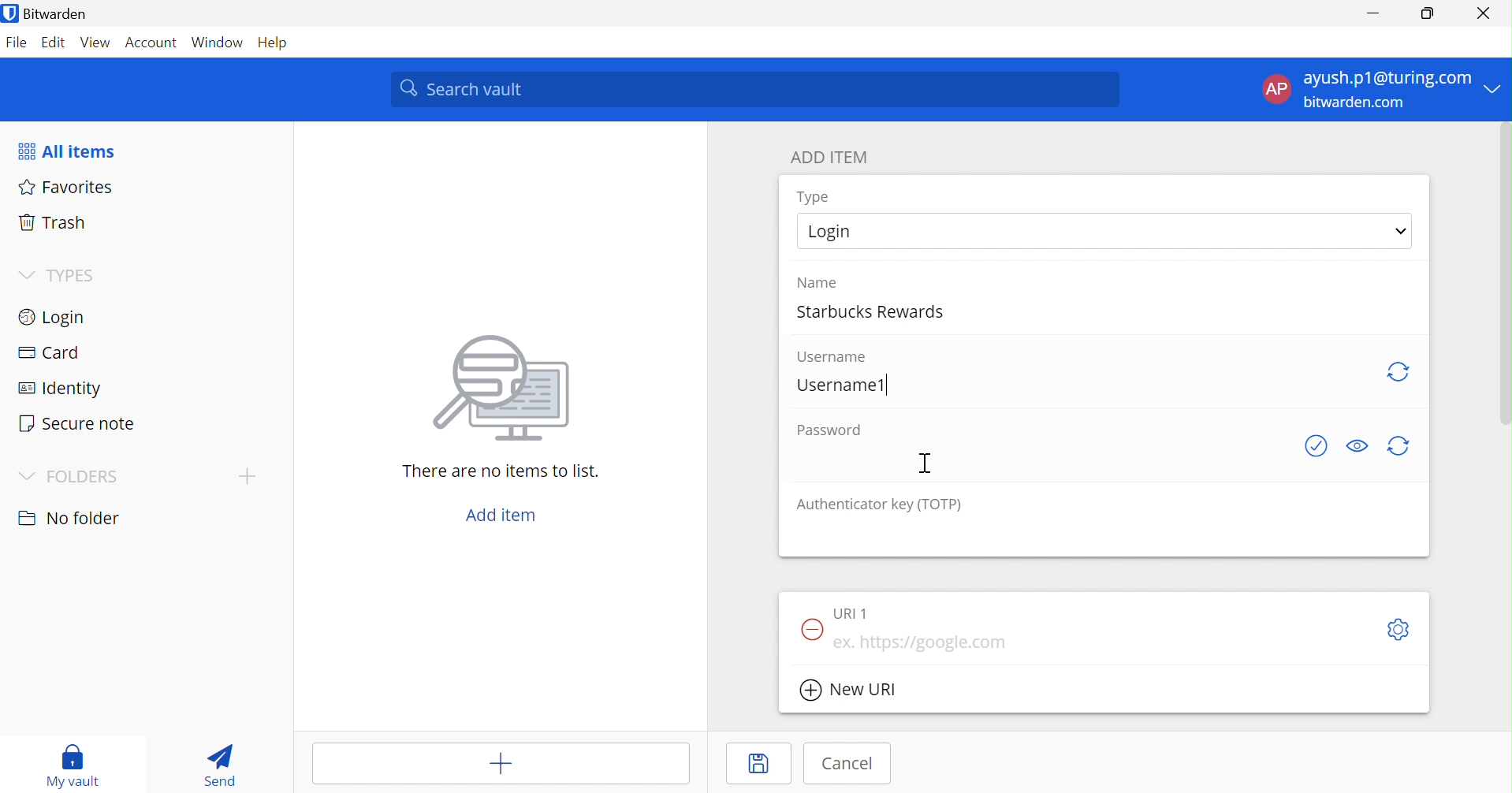  What do you see at coordinates (831, 158) in the screenshot?
I see `ADD ITEM` at bounding box center [831, 158].